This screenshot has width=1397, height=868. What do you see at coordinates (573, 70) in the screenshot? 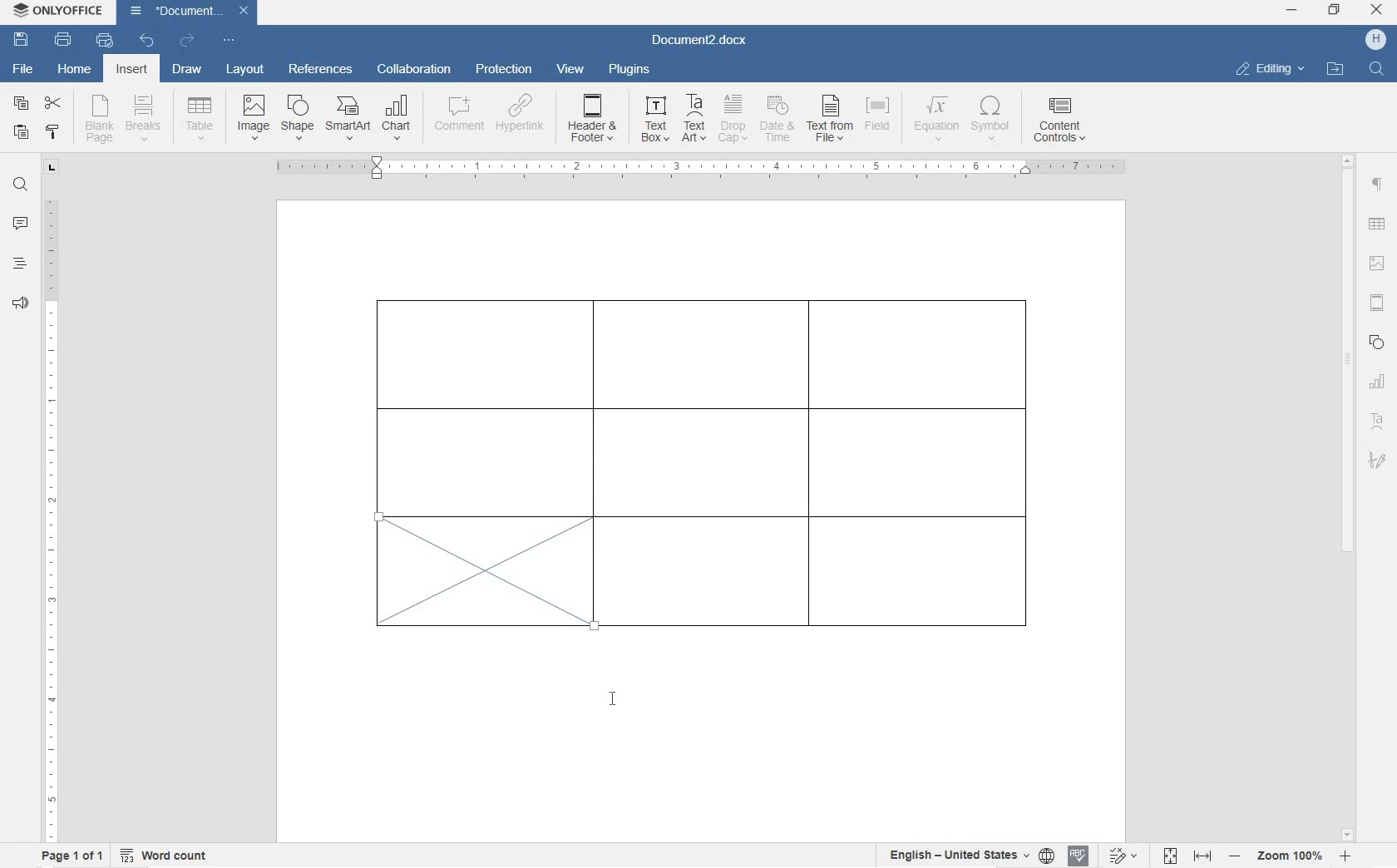
I see `view` at bounding box center [573, 70].